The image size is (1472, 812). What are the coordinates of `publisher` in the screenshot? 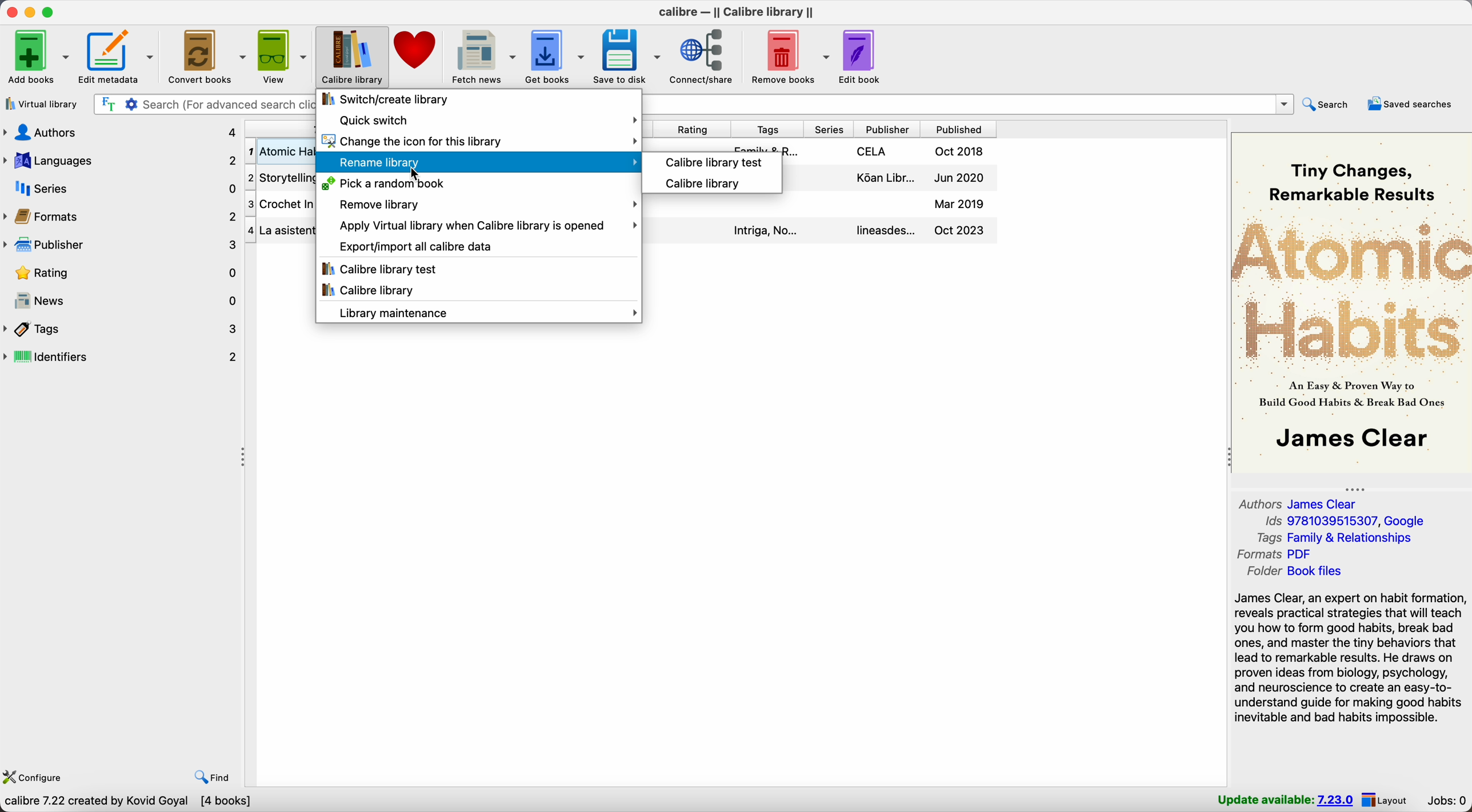 It's located at (887, 130).